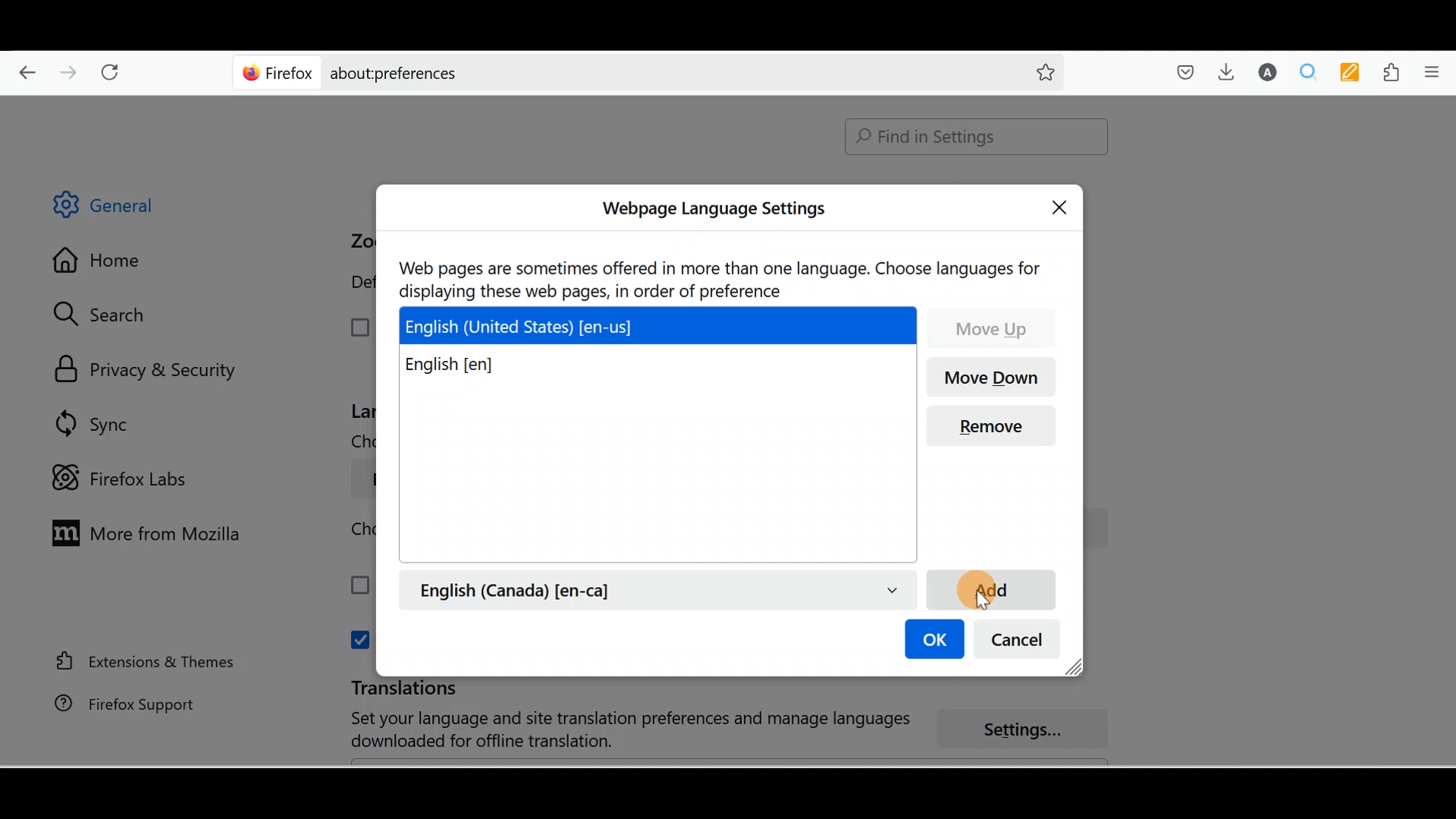  What do you see at coordinates (467, 366) in the screenshot?
I see `English [en]` at bounding box center [467, 366].